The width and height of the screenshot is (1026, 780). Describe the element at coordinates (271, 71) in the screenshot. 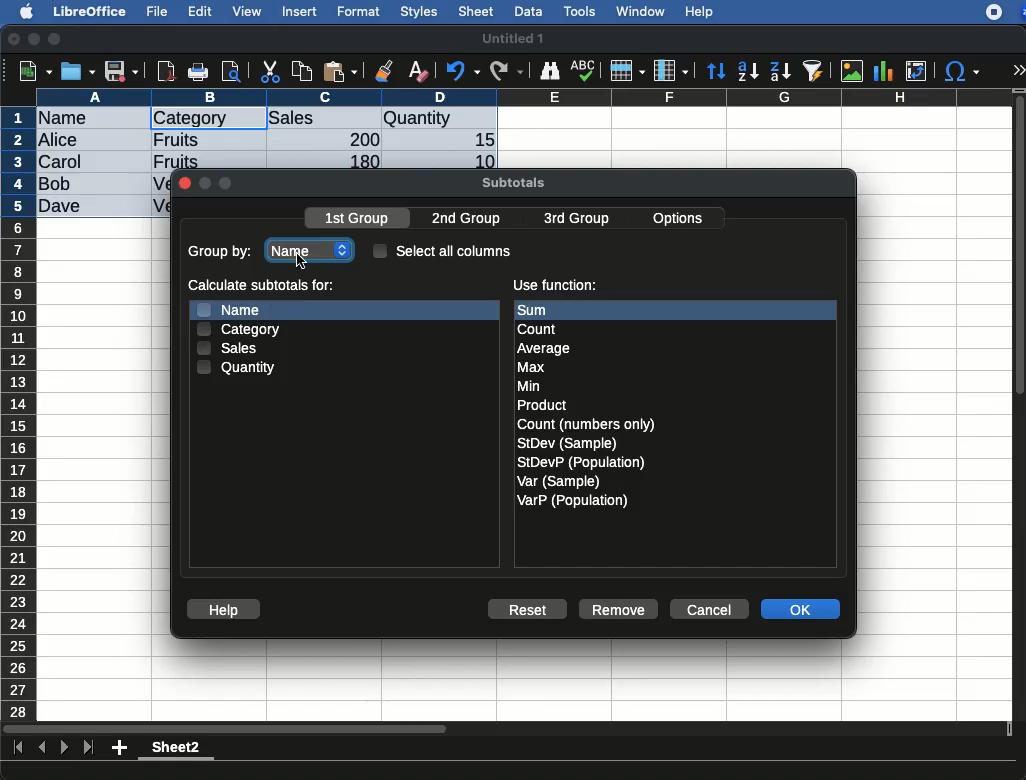

I see `cut` at that location.